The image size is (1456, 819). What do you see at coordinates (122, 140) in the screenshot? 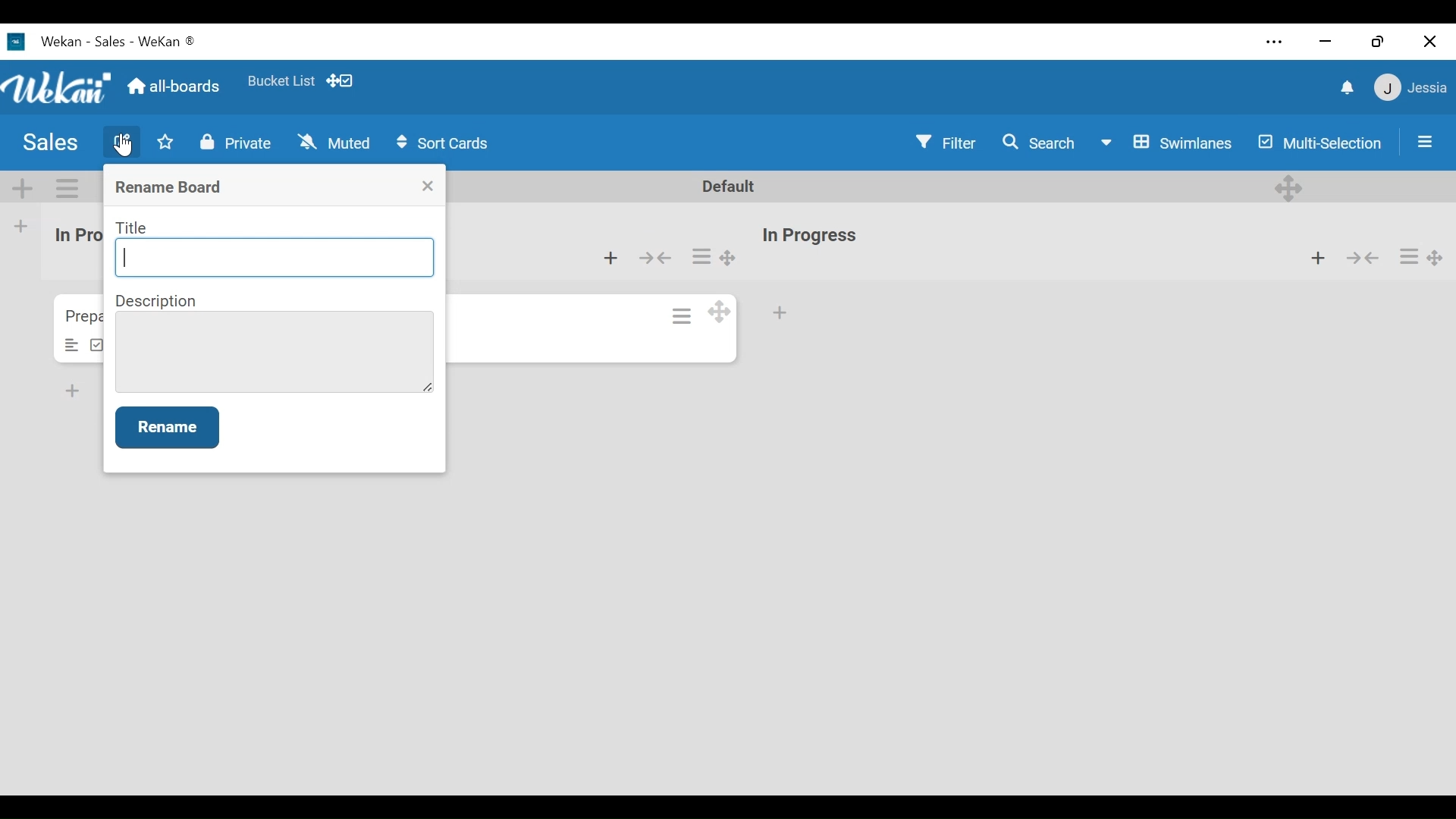
I see `Edit` at bounding box center [122, 140].